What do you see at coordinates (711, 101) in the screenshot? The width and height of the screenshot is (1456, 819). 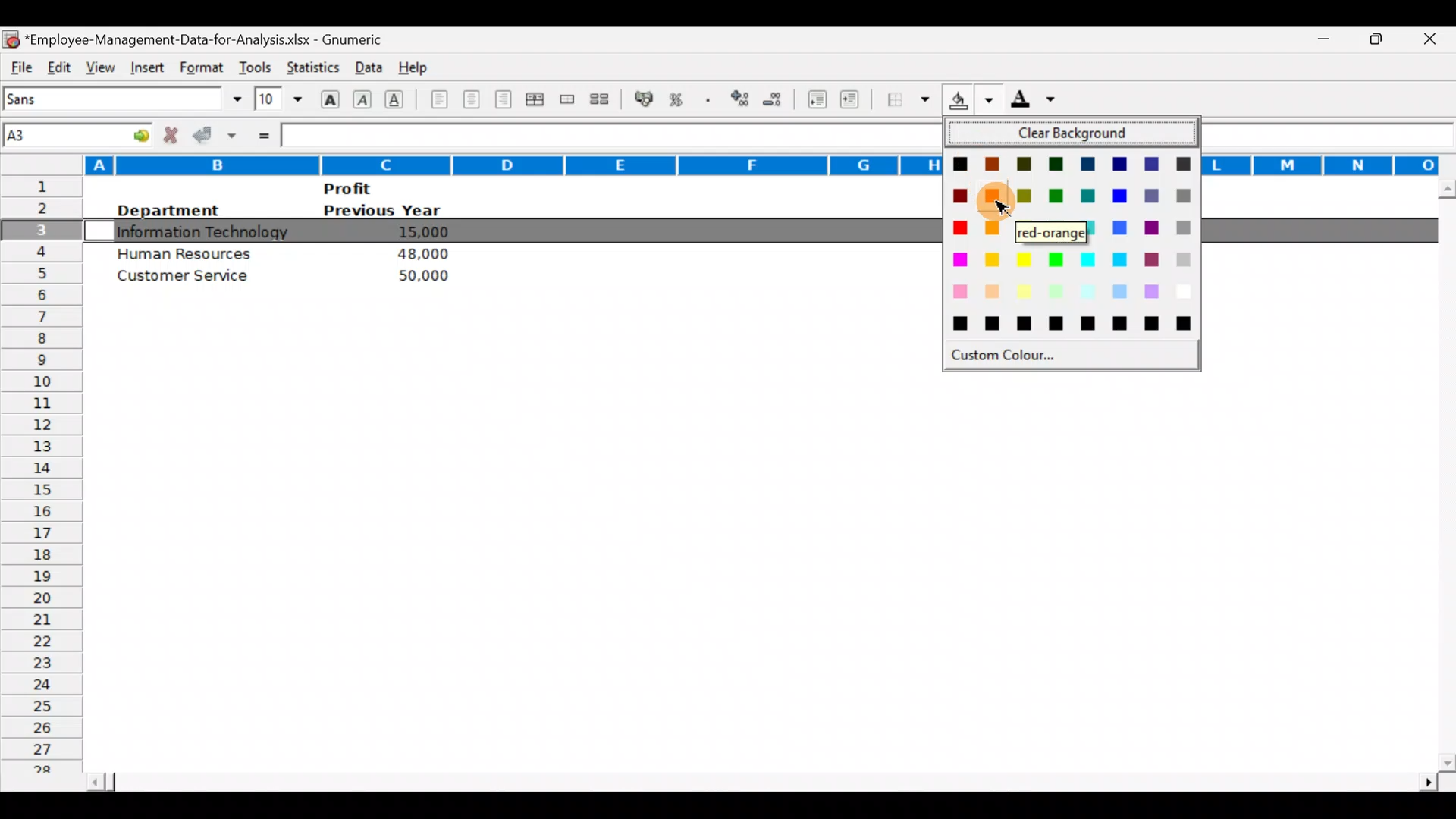 I see `Include a thousands operator` at bounding box center [711, 101].